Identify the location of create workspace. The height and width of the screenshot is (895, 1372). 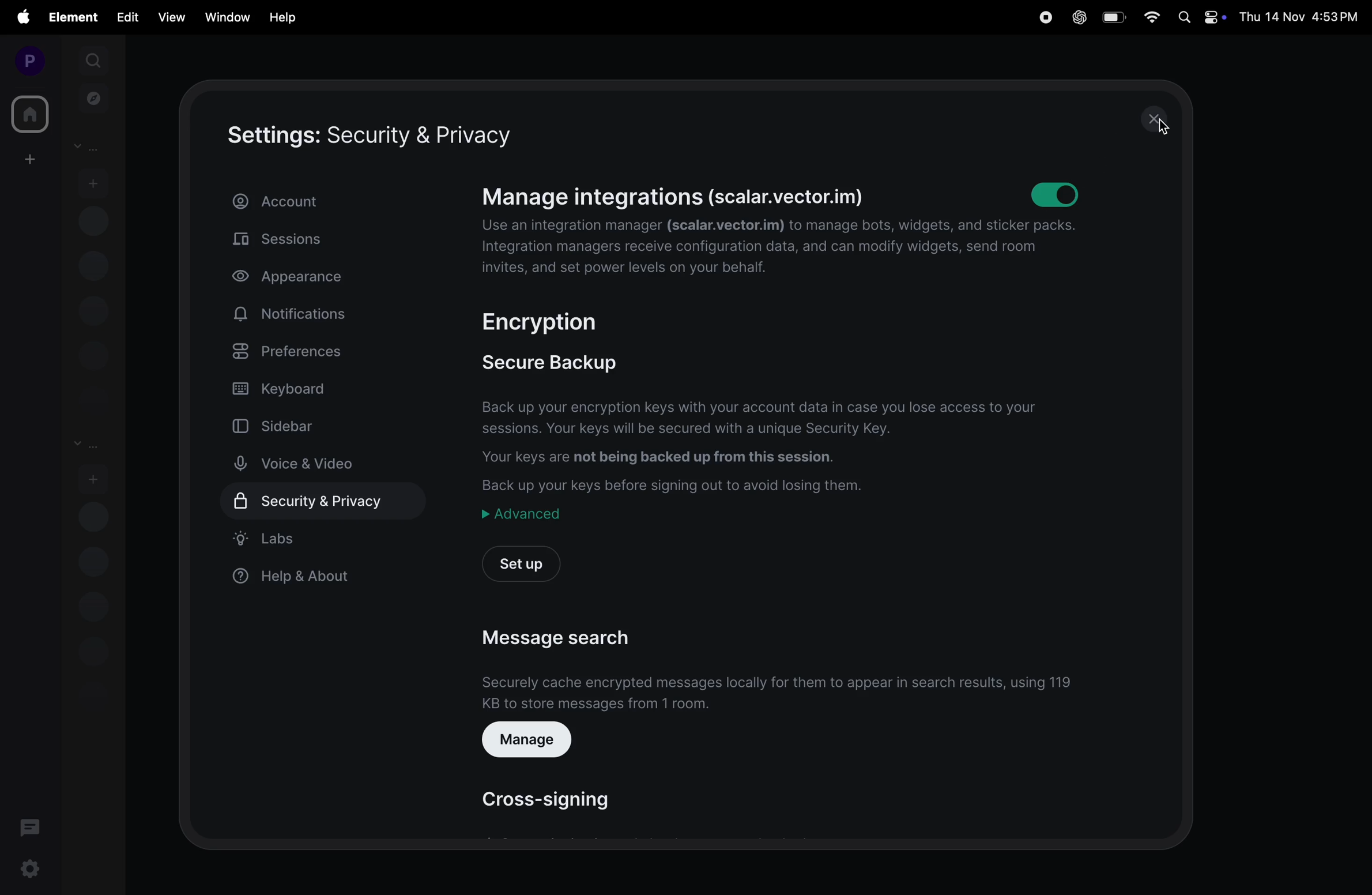
(27, 159).